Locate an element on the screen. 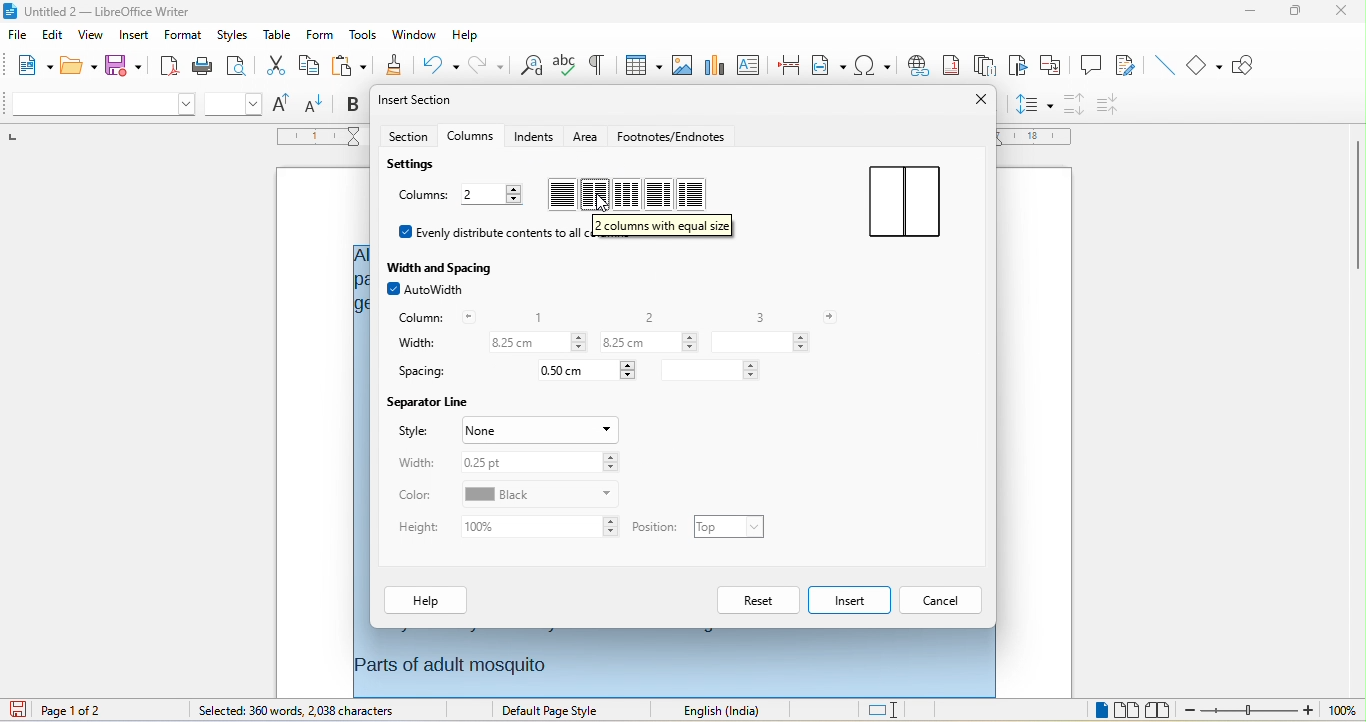  column is located at coordinates (435, 316).